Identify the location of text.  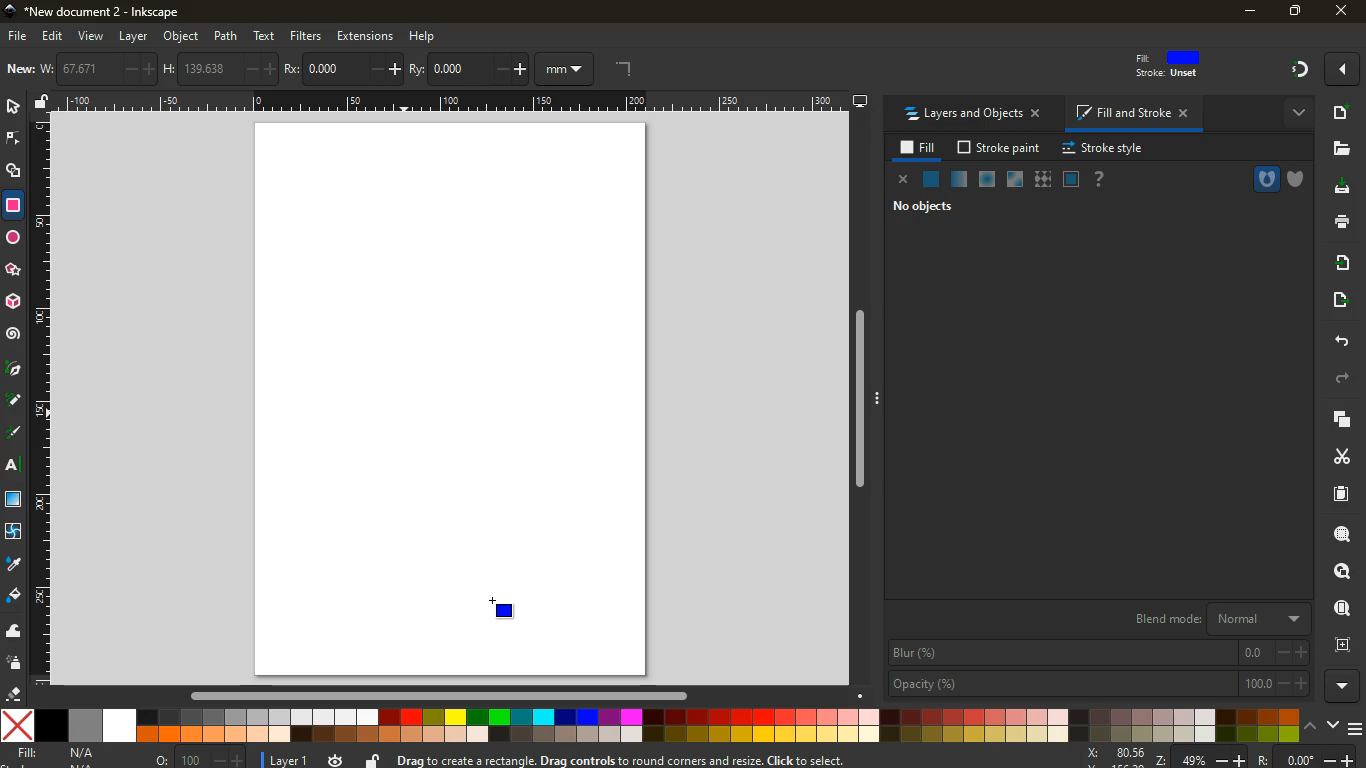
(15, 465).